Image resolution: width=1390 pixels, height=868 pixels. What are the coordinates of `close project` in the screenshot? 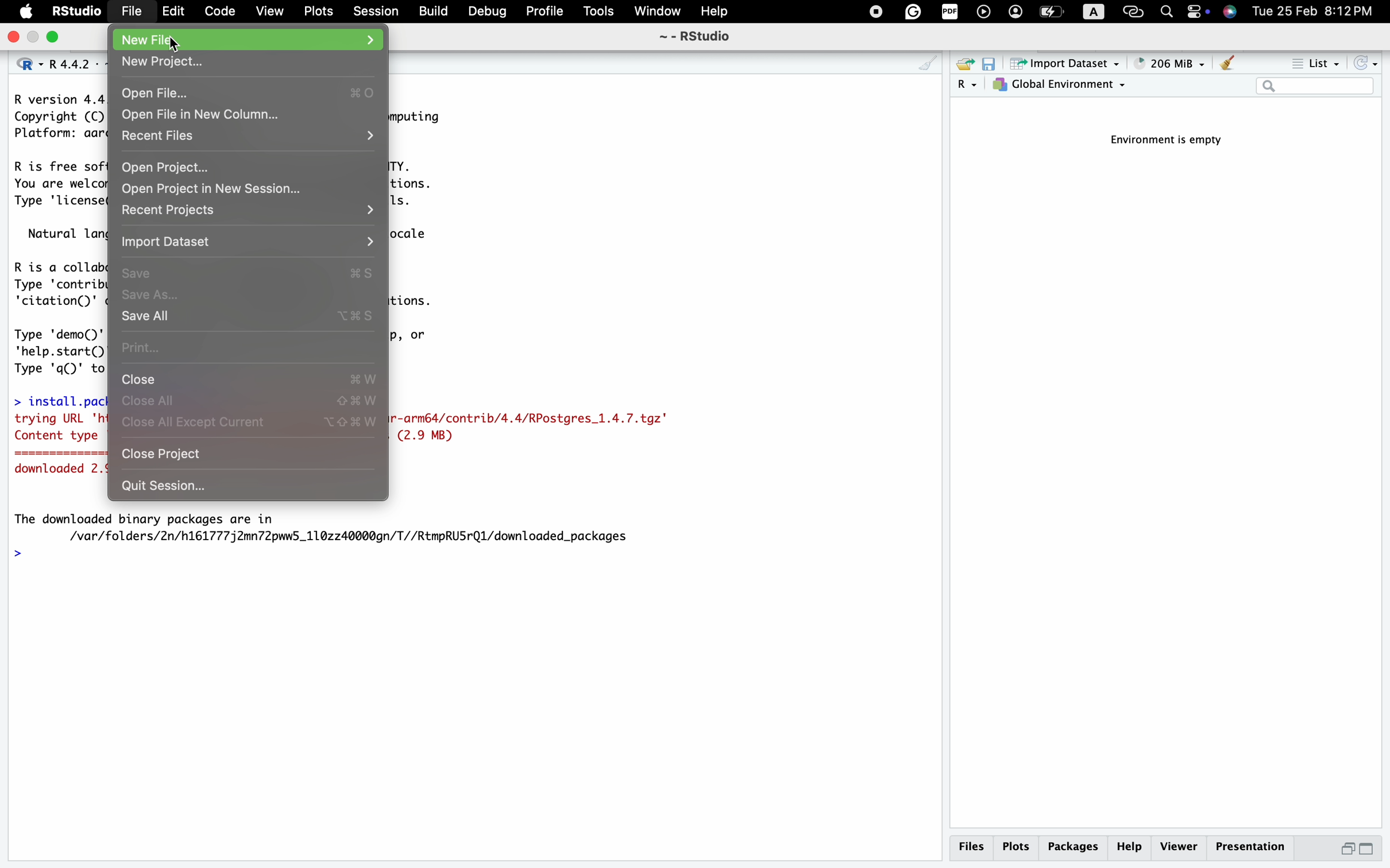 It's located at (250, 457).